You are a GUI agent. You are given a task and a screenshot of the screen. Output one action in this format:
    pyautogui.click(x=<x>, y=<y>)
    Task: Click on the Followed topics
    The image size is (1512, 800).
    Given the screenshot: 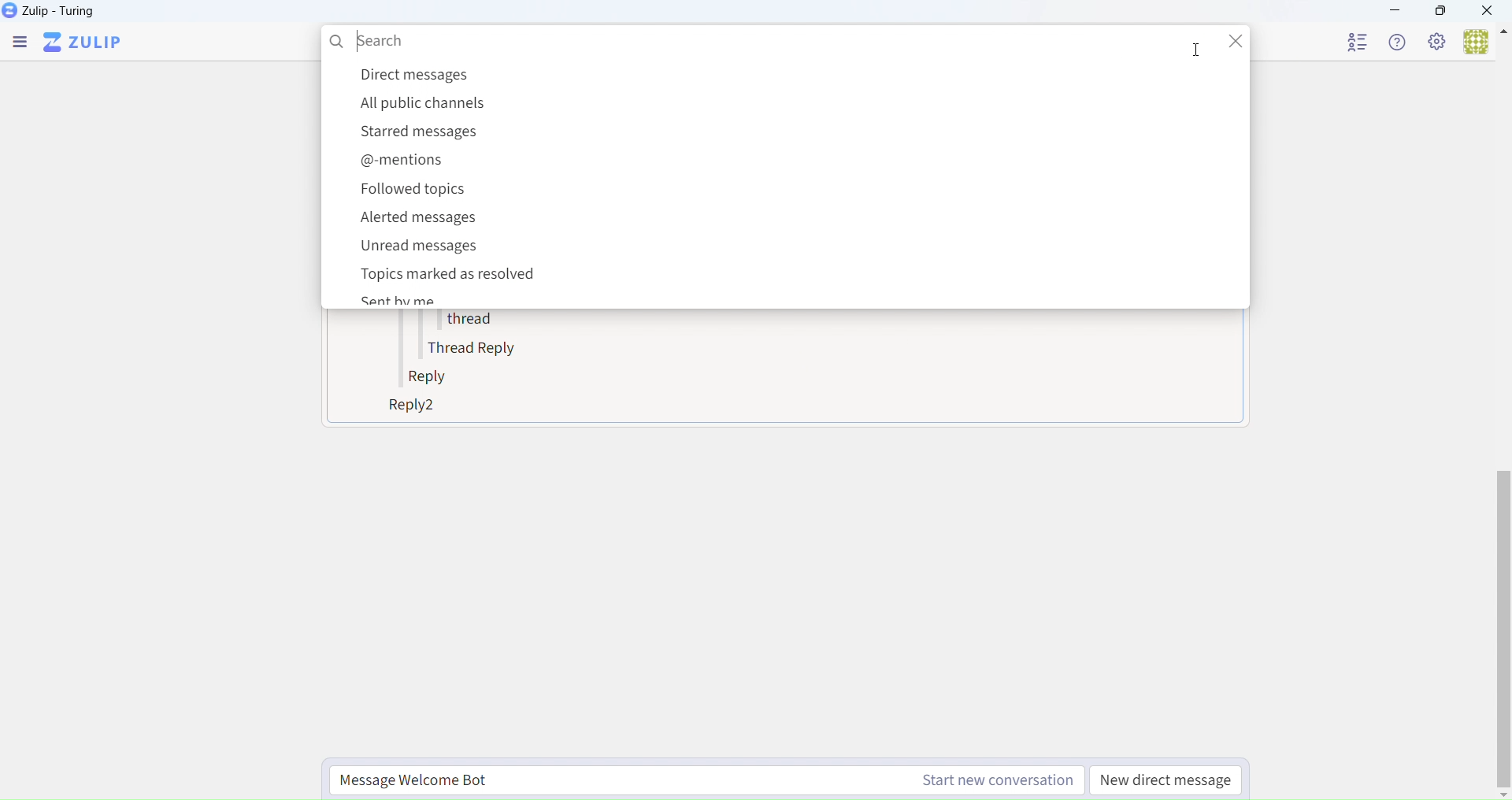 What is the action you would take?
    pyautogui.click(x=415, y=193)
    